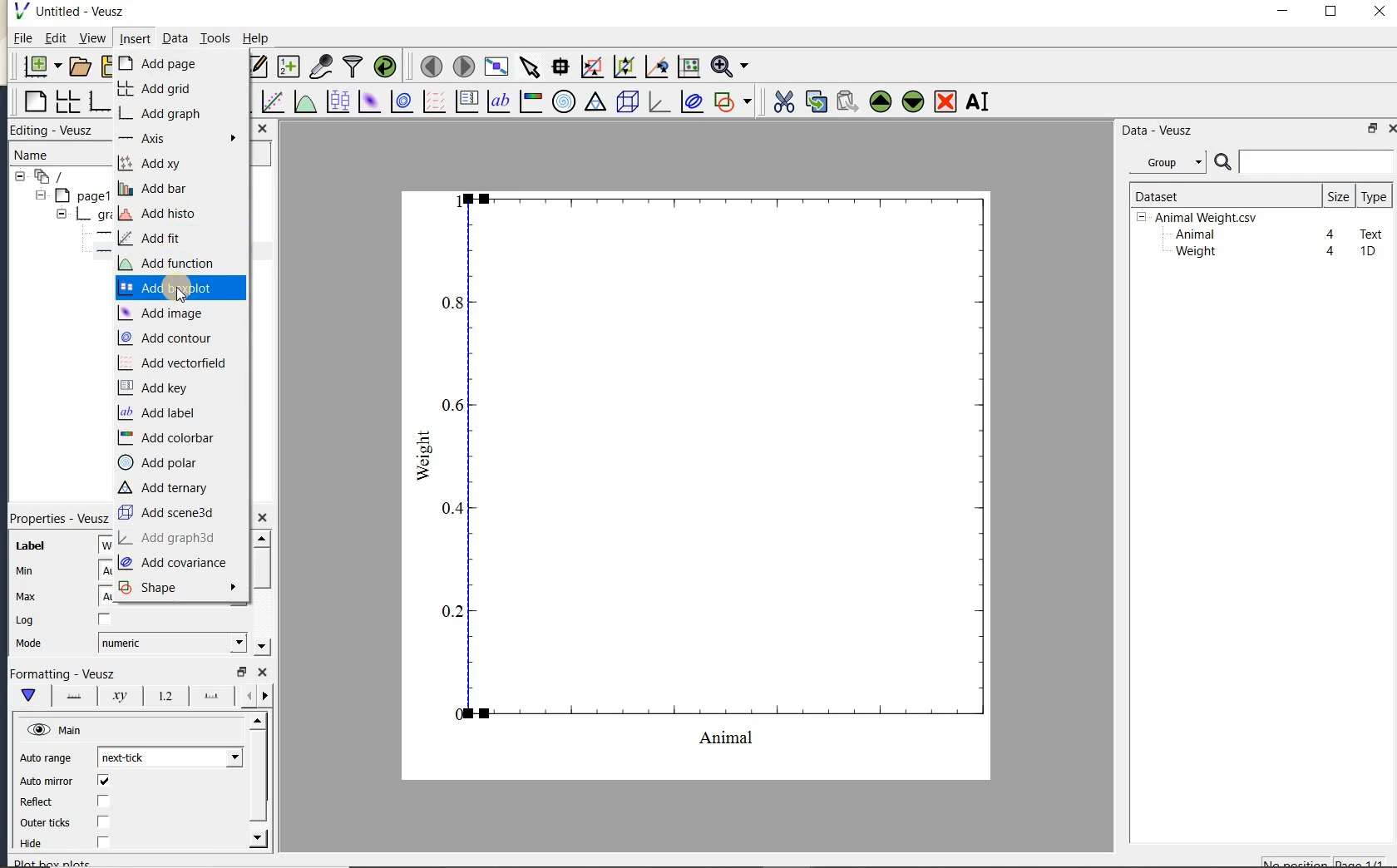  I want to click on read data points on the graph, so click(560, 67).